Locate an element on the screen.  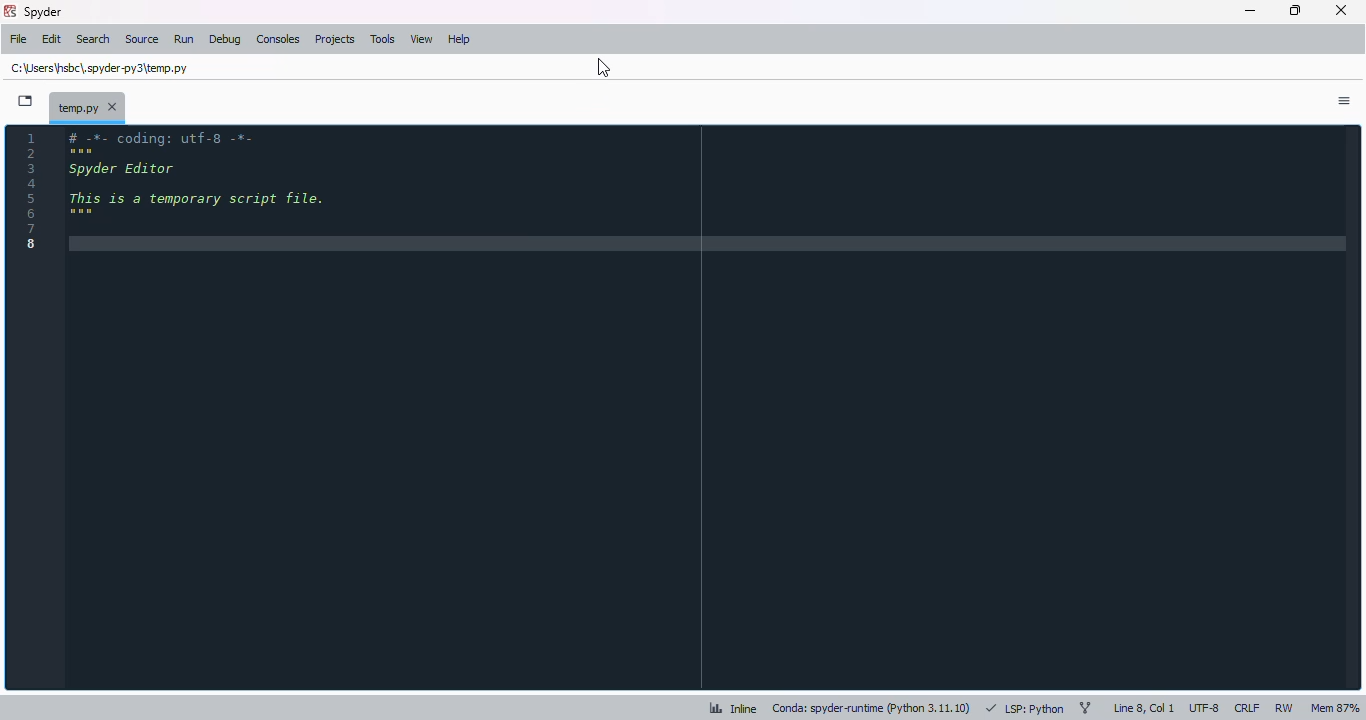
view is located at coordinates (420, 39).